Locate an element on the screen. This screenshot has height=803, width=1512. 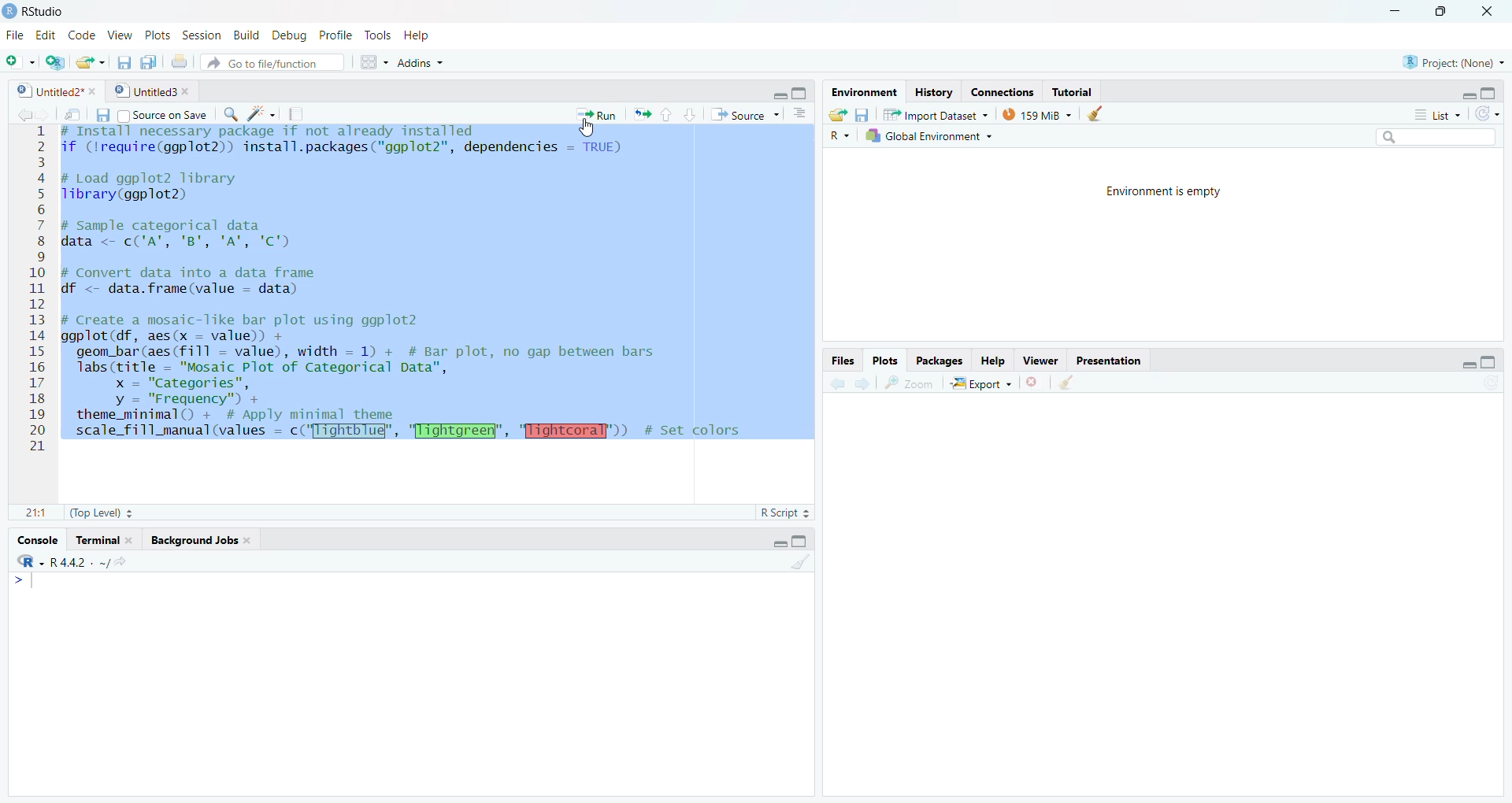
Minimize is located at coordinates (1397, 12).